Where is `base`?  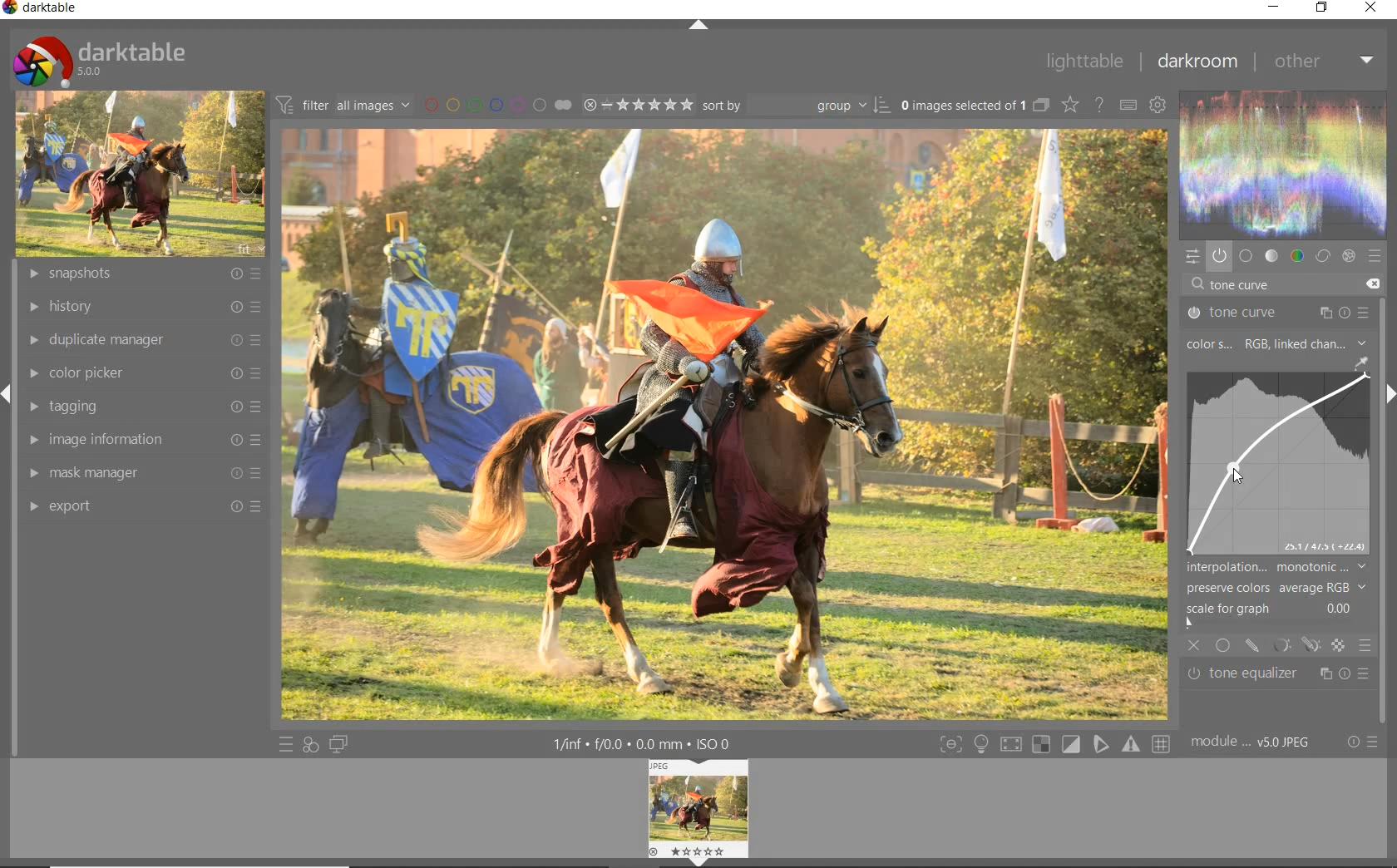
base is located at coordinates (1246, 257).